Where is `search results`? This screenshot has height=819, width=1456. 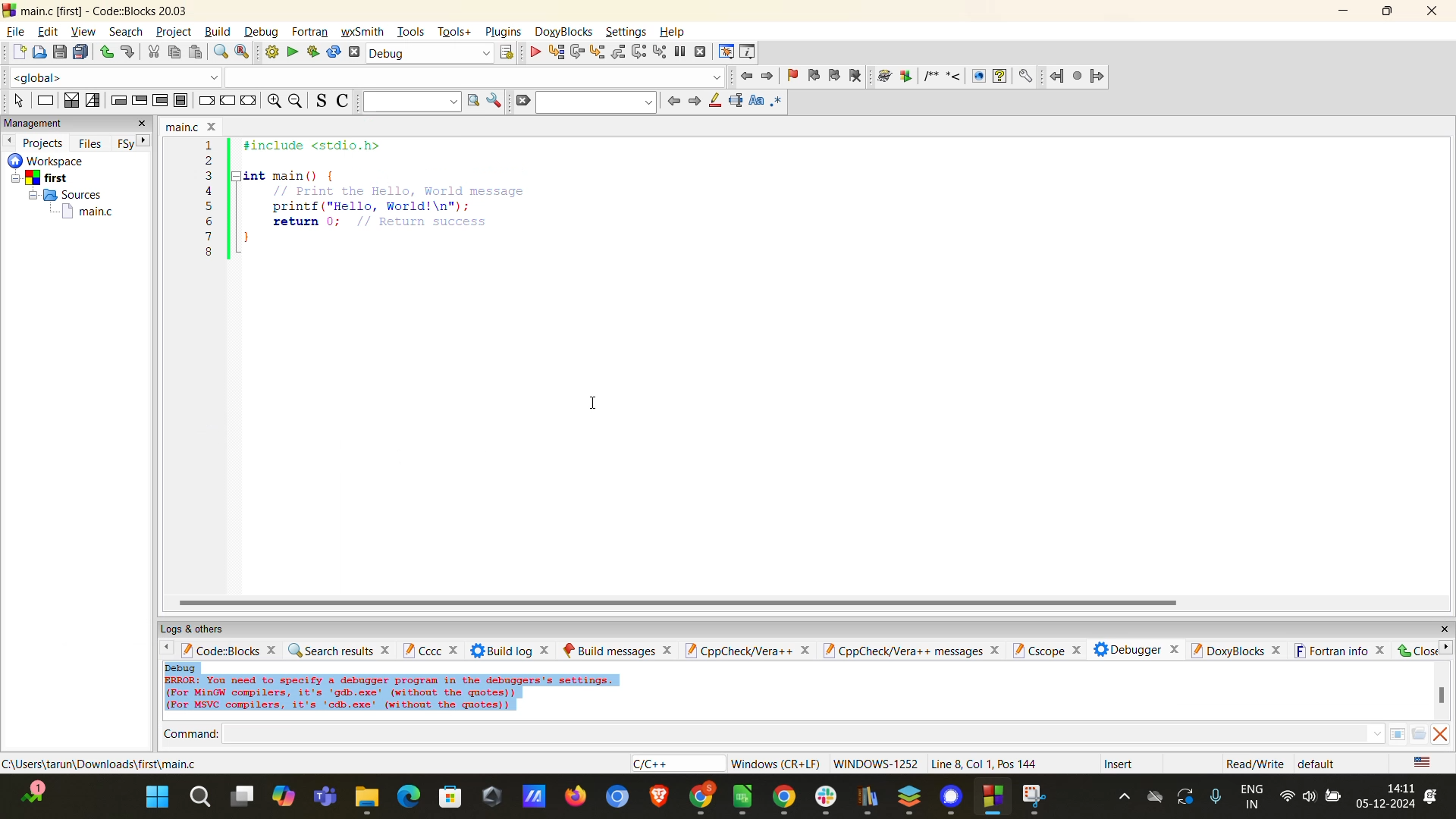
search results is located at coordinates (340, 649).